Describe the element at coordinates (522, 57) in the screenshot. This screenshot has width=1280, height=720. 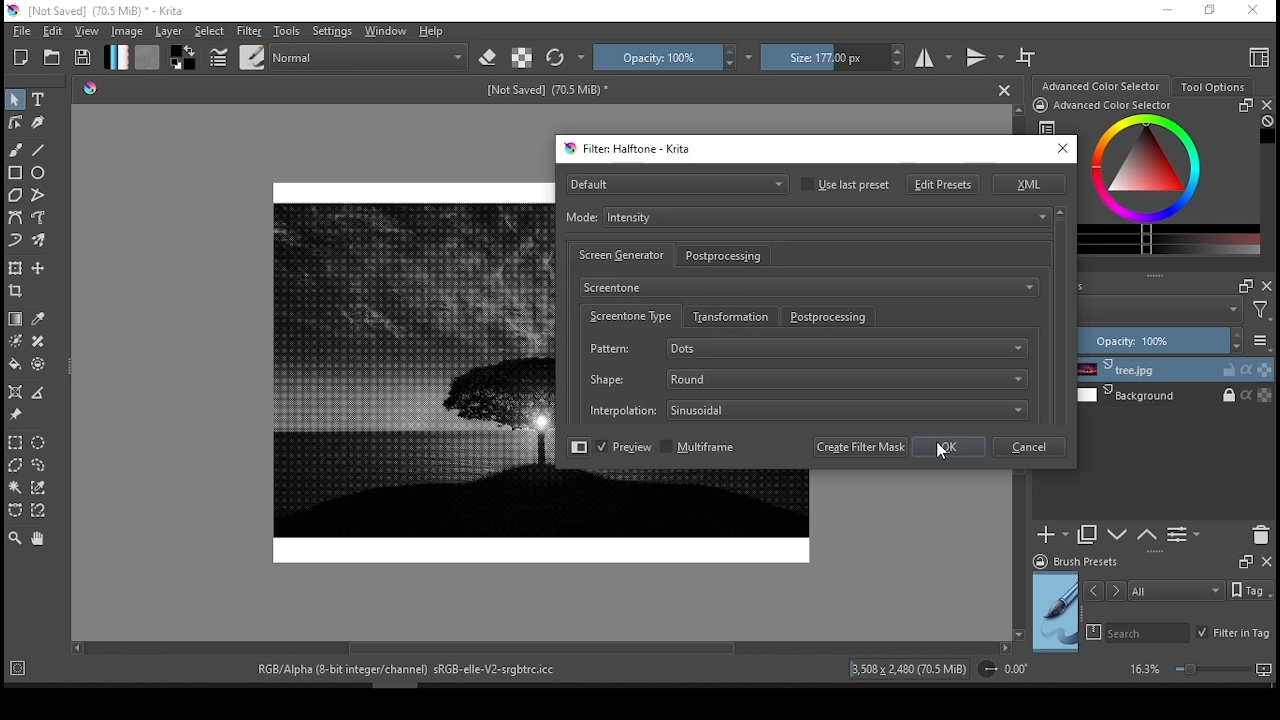
I see `Target` at that location.